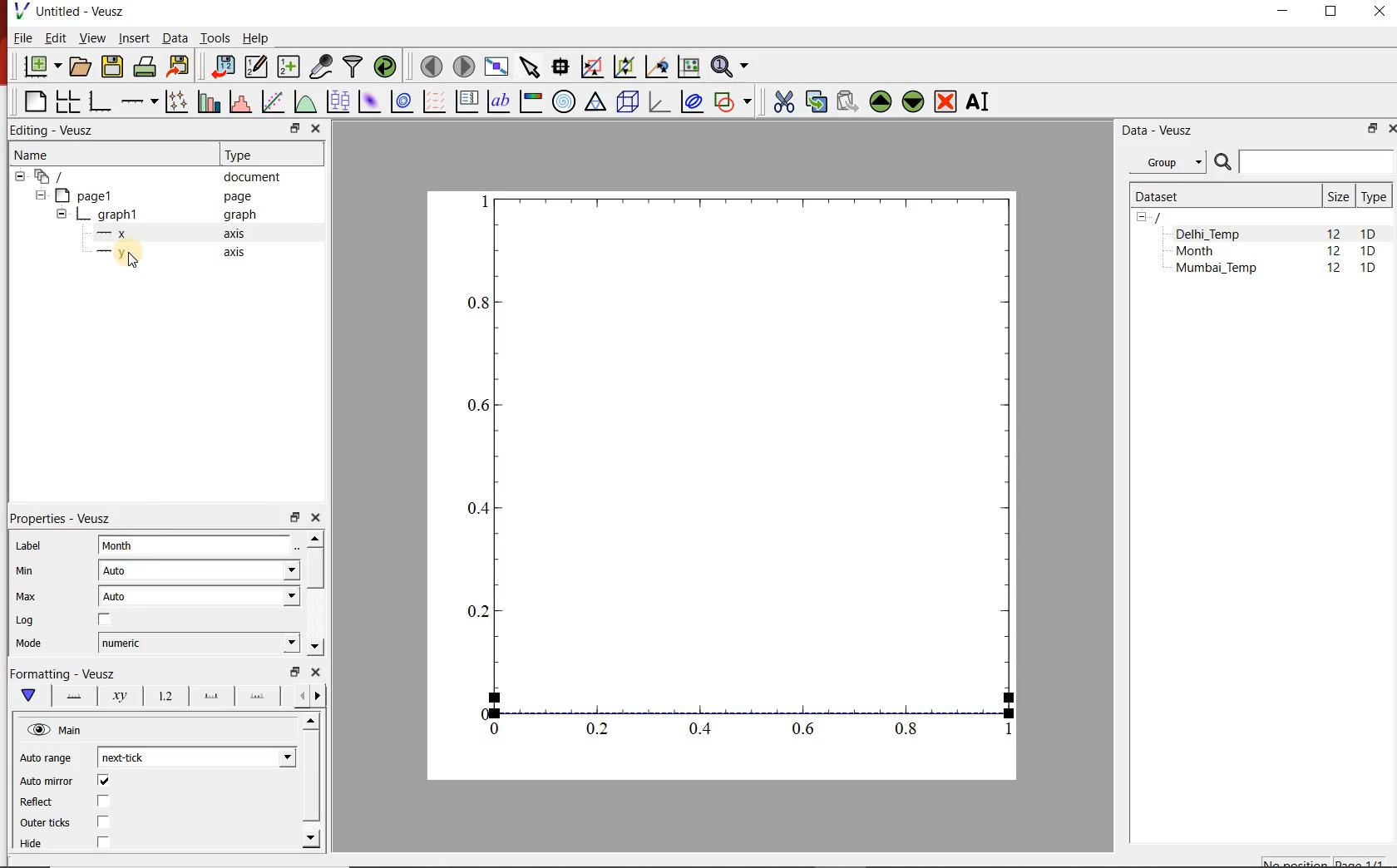 The width and height of the screenshot is (1397, 868). Describe the element at coordinates (79, 67) in the screenshot. I see `open a document` at that location.